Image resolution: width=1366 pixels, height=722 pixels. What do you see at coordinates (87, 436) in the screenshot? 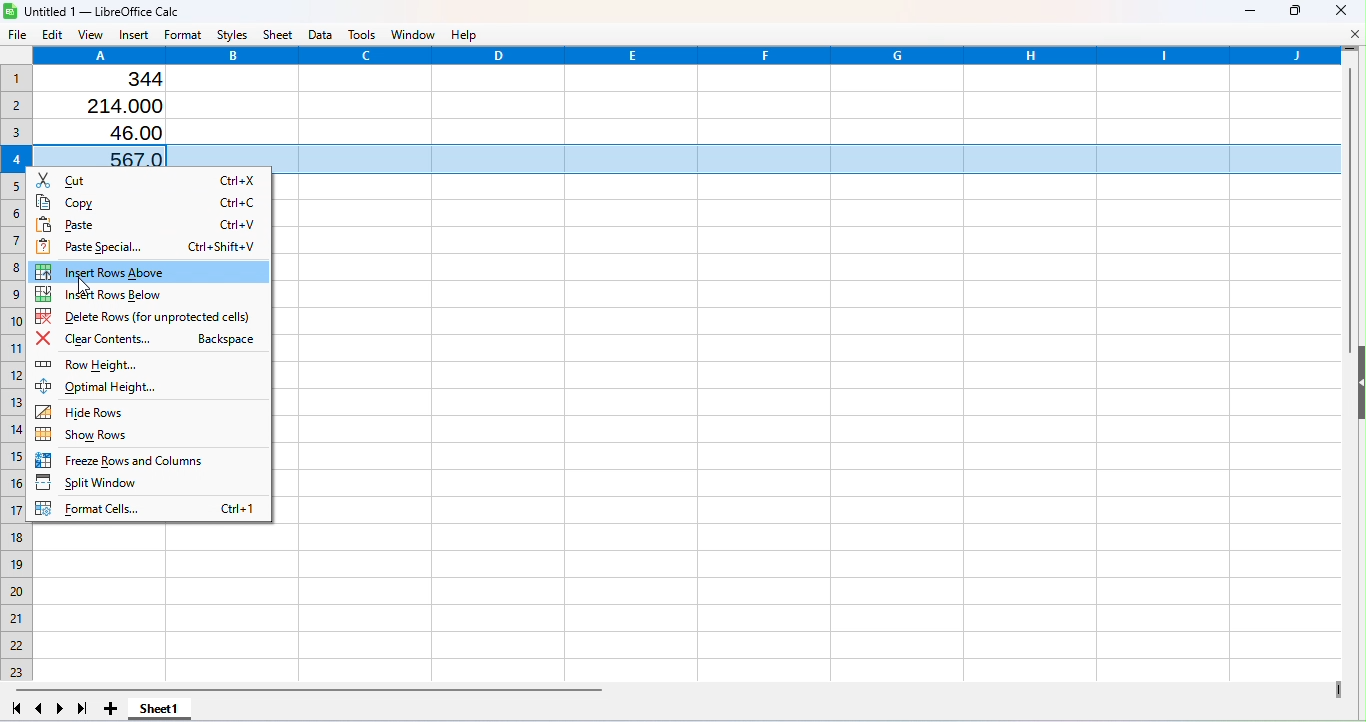
I see `Show rows` at bounding box center [87, 436].